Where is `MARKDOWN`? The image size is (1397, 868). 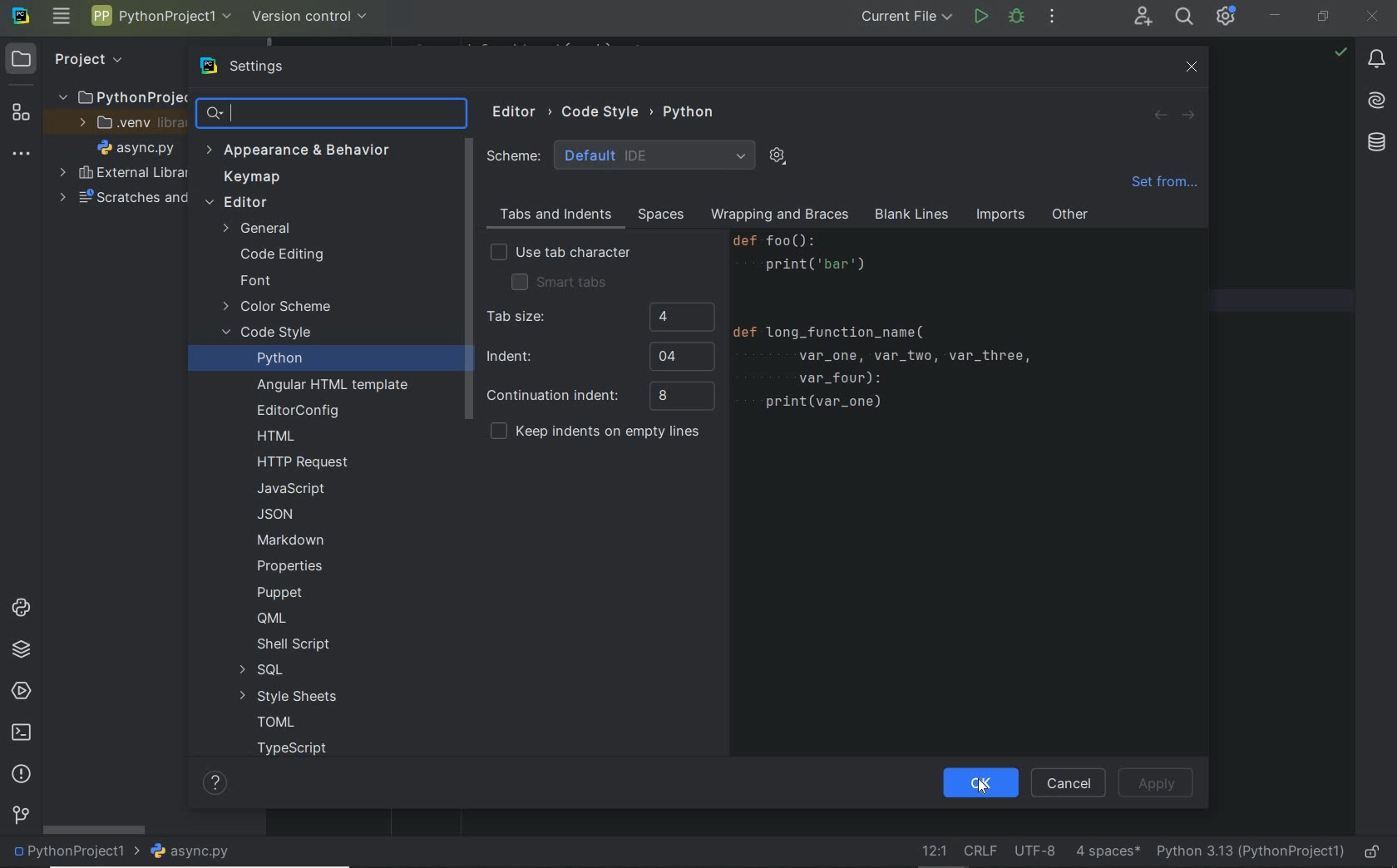 MARKDOWN is located at coordinates (290, 540).